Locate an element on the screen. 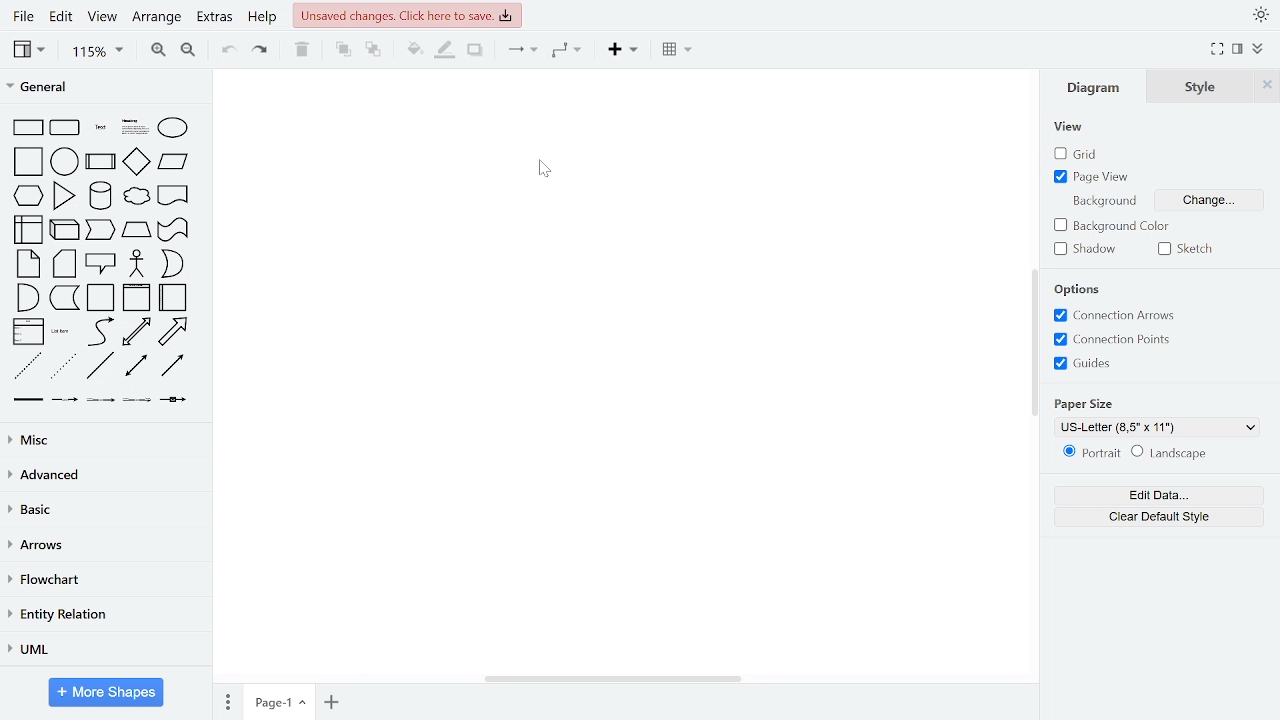  add page is located at coordinates (334, 703).